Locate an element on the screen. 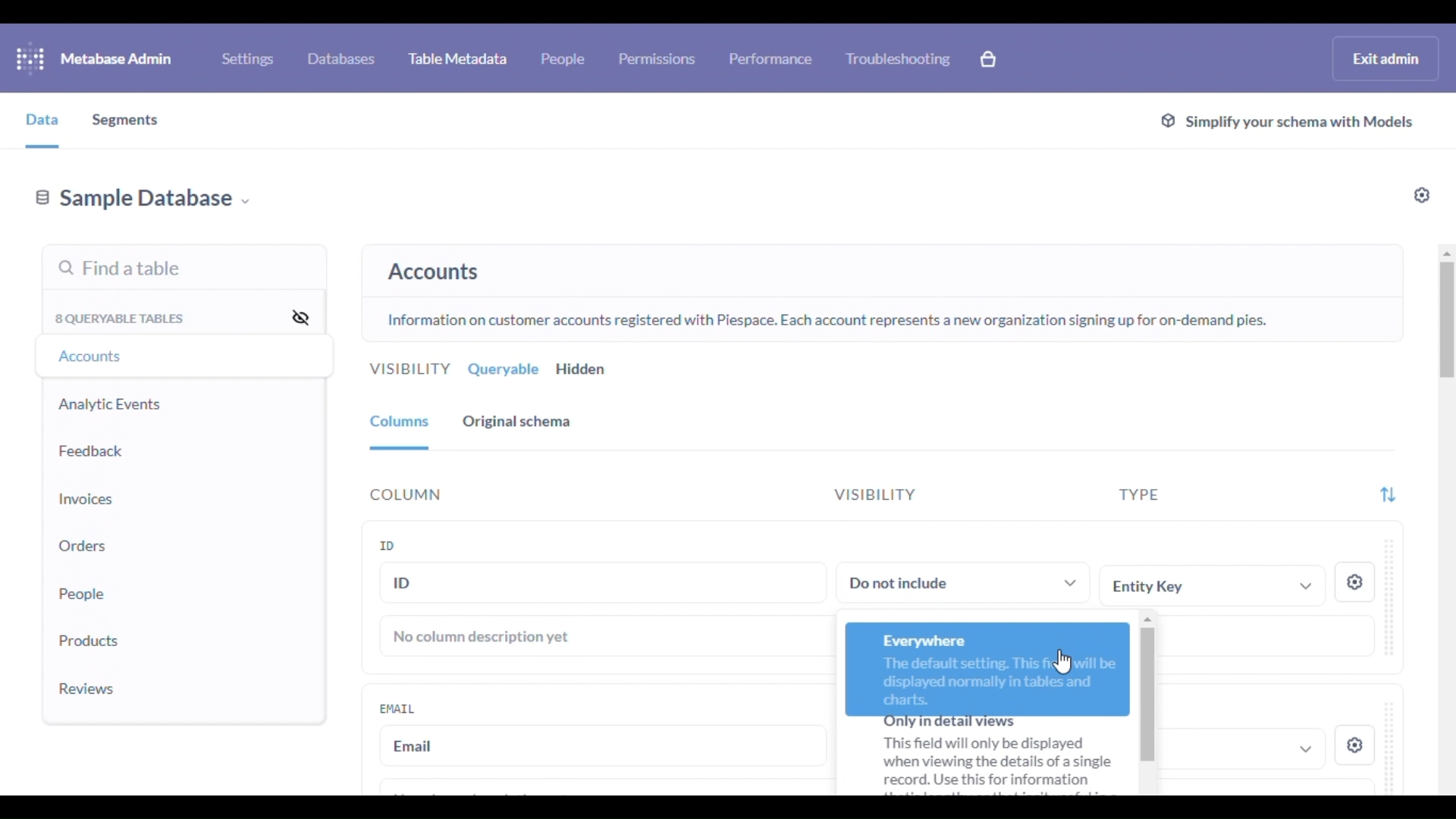 This screenshot has width=1456, height=819. orders is located at coordinates (83, 545).